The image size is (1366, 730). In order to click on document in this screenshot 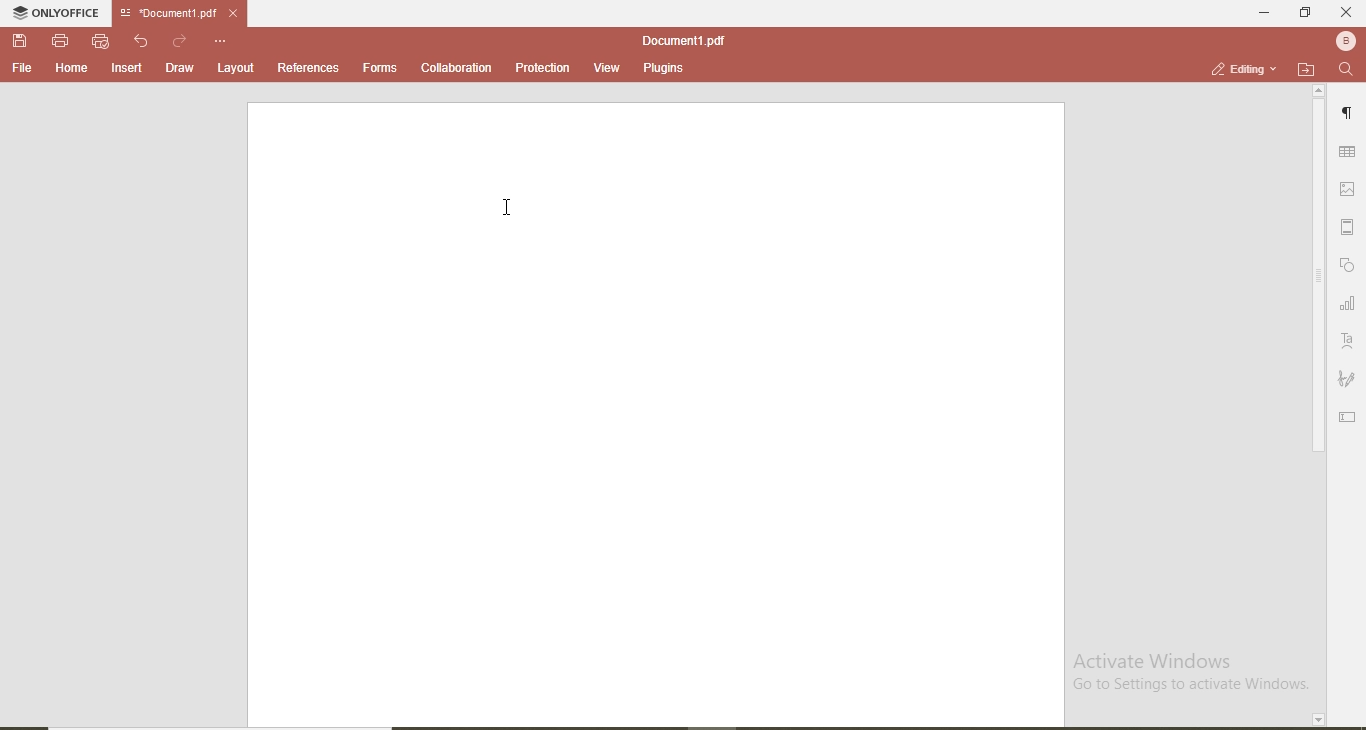, I will do `click(655, 416)`.